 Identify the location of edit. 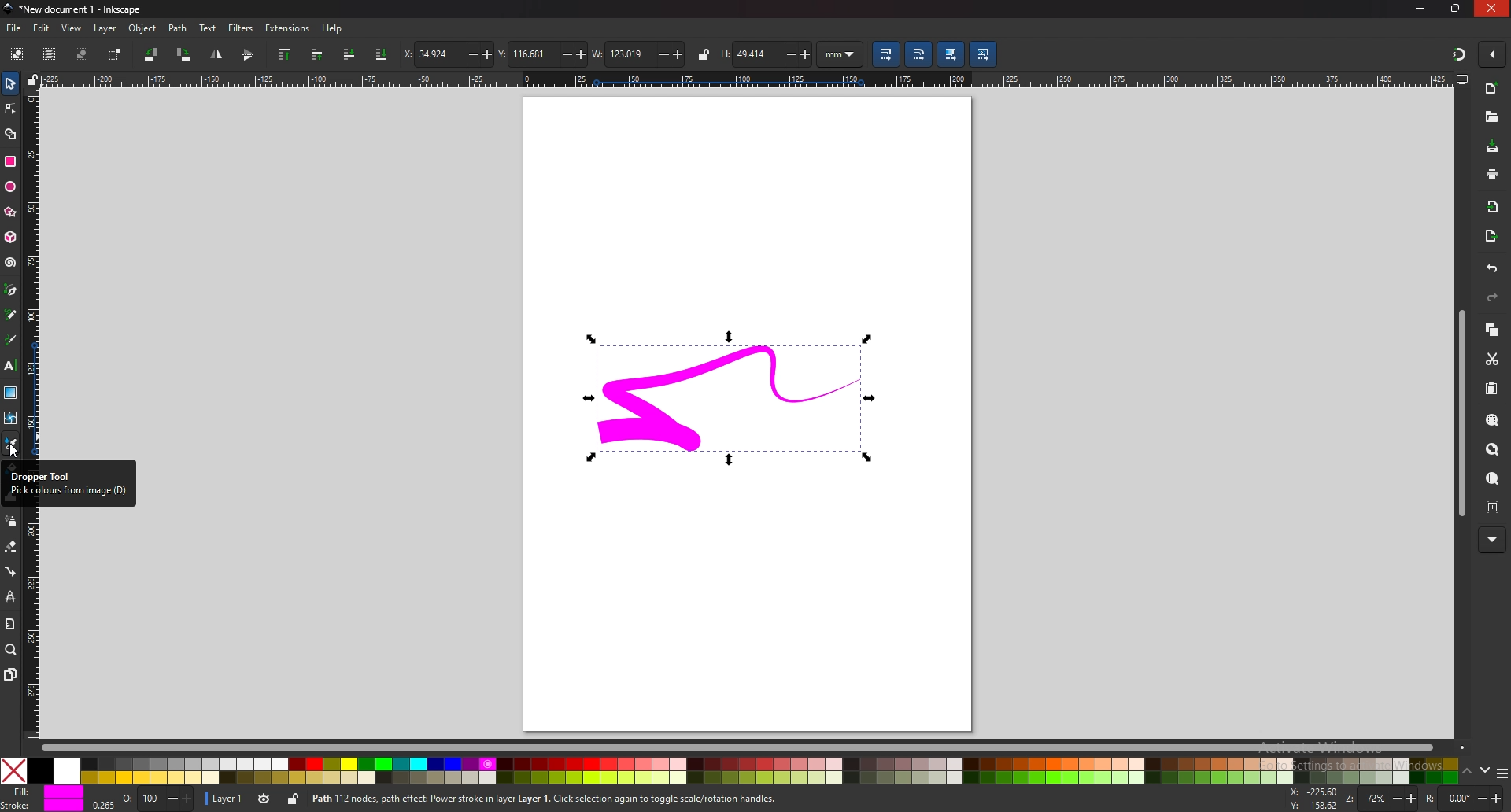
(42, 28).